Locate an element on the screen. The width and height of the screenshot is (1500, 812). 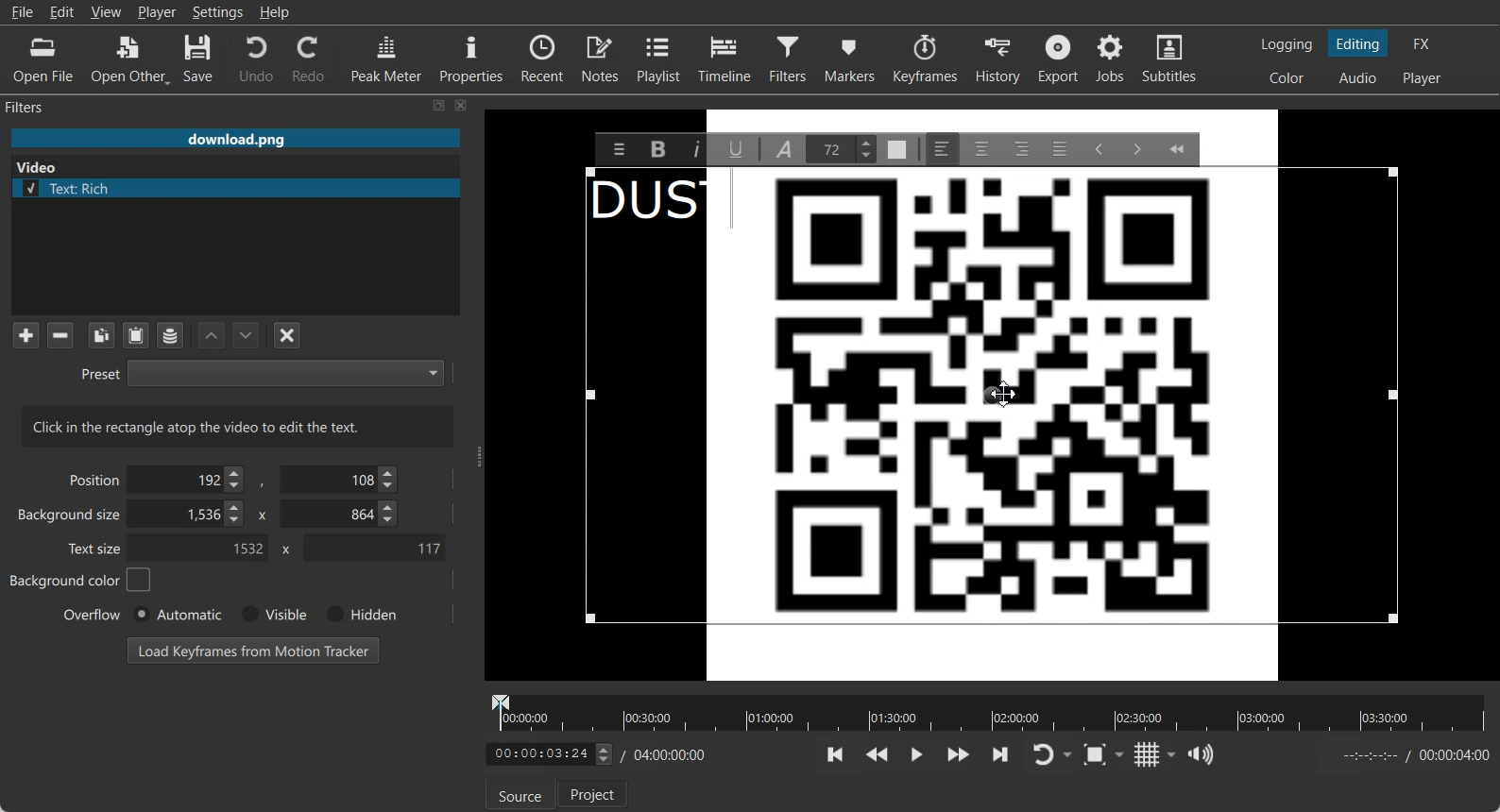
Peak Meter is located at coordinates (387, 58).